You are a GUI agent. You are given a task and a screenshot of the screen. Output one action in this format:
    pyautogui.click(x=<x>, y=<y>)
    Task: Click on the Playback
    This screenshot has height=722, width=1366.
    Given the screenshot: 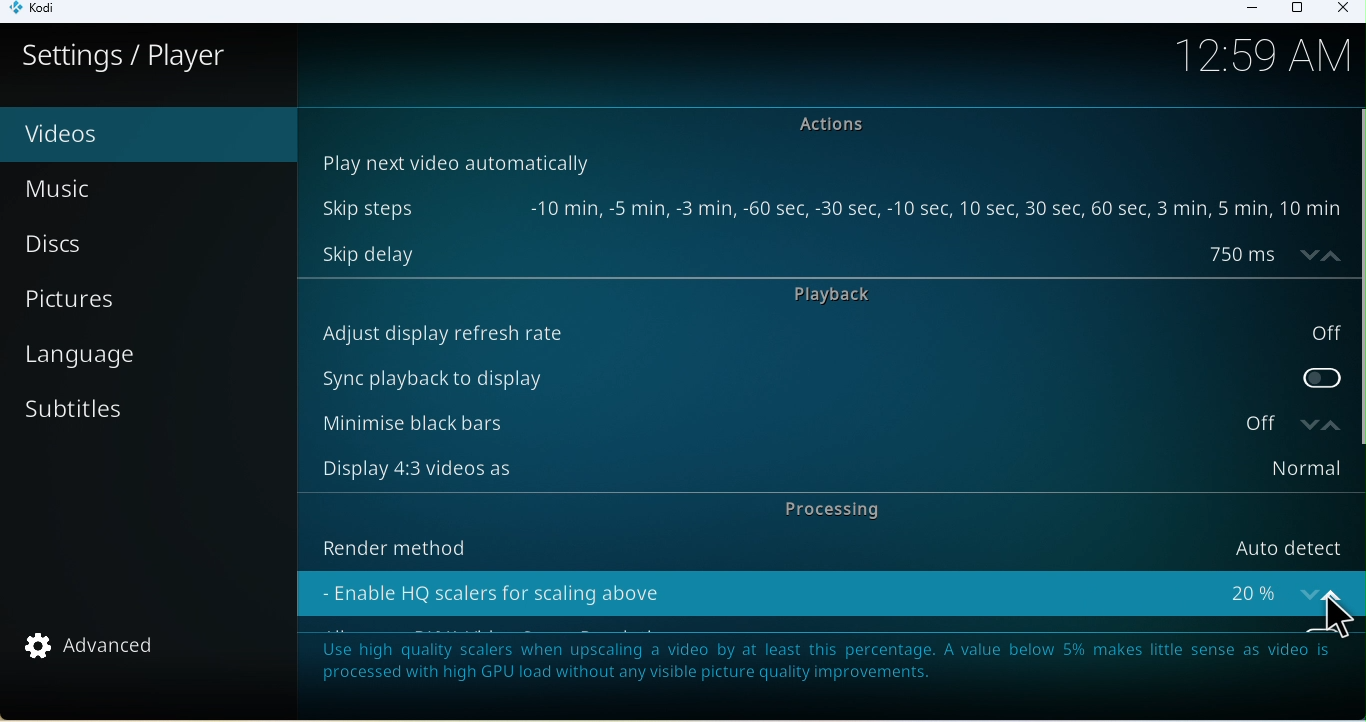 What is the action you would take?
    pyautogui.click(x=849, y=296)
    